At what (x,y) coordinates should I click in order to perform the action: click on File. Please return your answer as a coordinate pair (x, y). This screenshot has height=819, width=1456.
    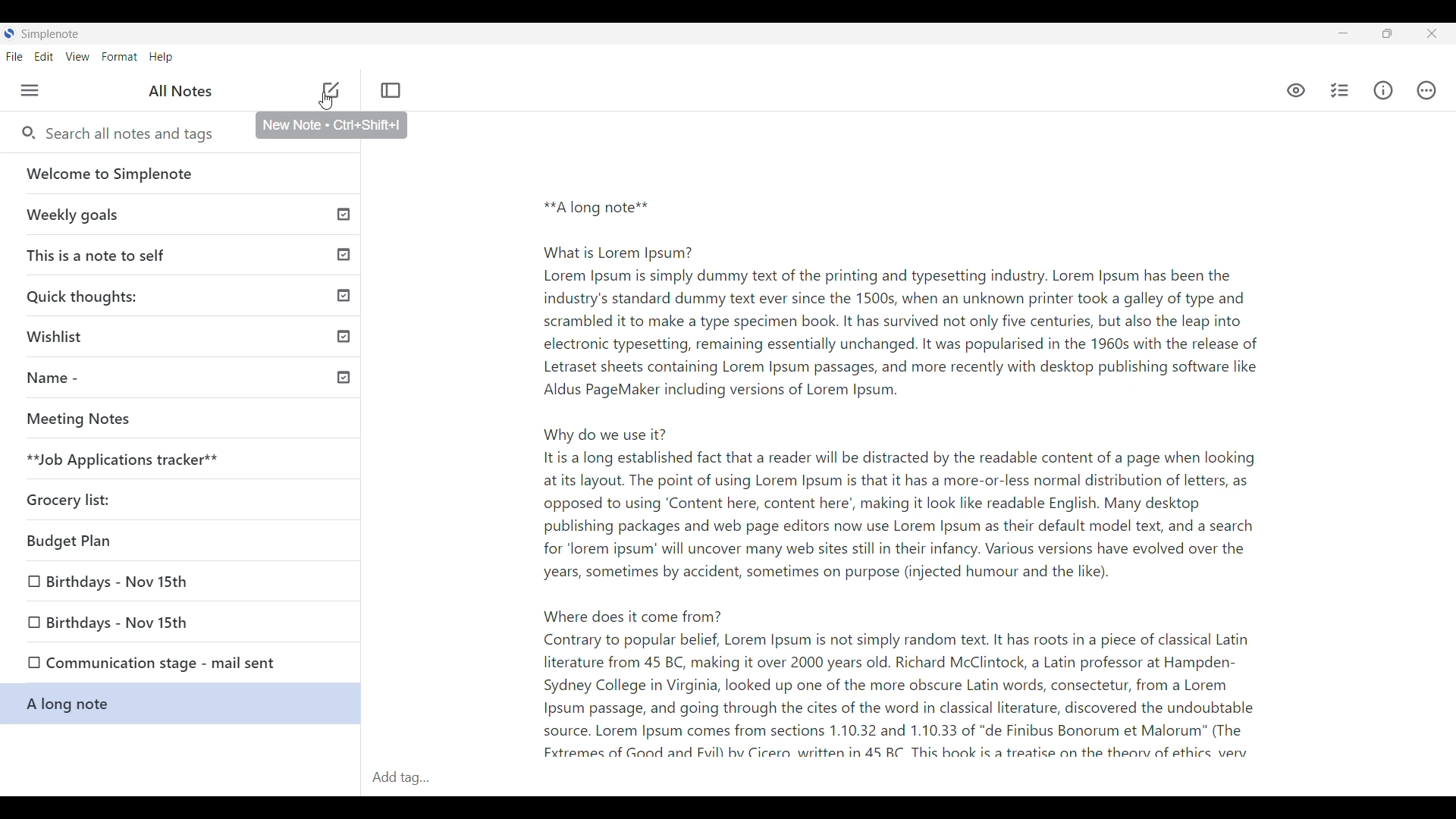
    Looking at the image, I should click on (14, 56).